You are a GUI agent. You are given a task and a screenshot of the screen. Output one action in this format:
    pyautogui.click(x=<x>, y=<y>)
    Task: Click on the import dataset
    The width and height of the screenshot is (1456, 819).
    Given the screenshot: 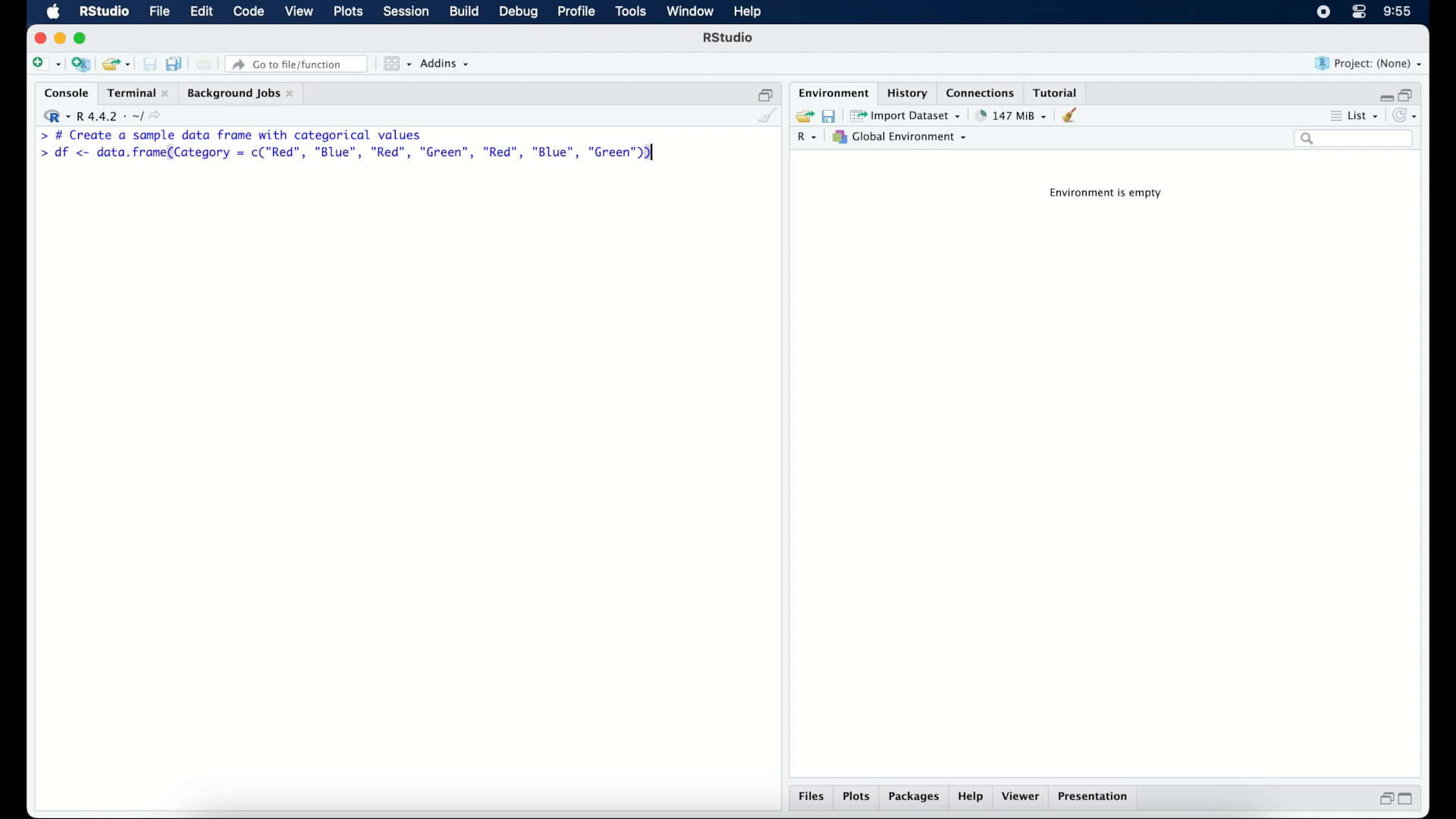 What is the action you would take?
    pyautogui.click(x=907, y=115)
    